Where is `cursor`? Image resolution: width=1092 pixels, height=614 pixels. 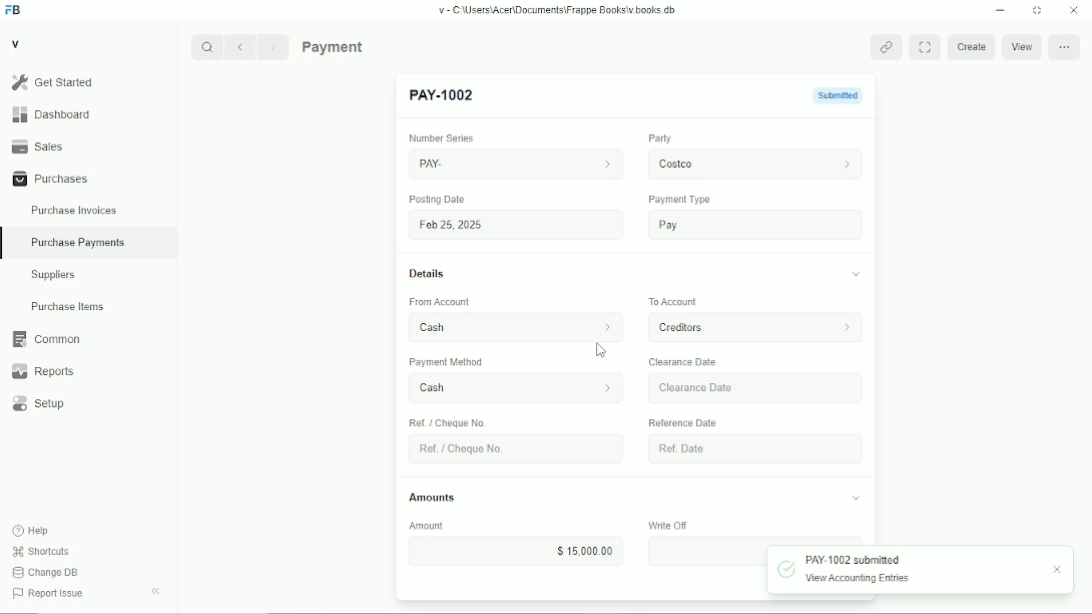
cursor is located at coordinates (602, 350).